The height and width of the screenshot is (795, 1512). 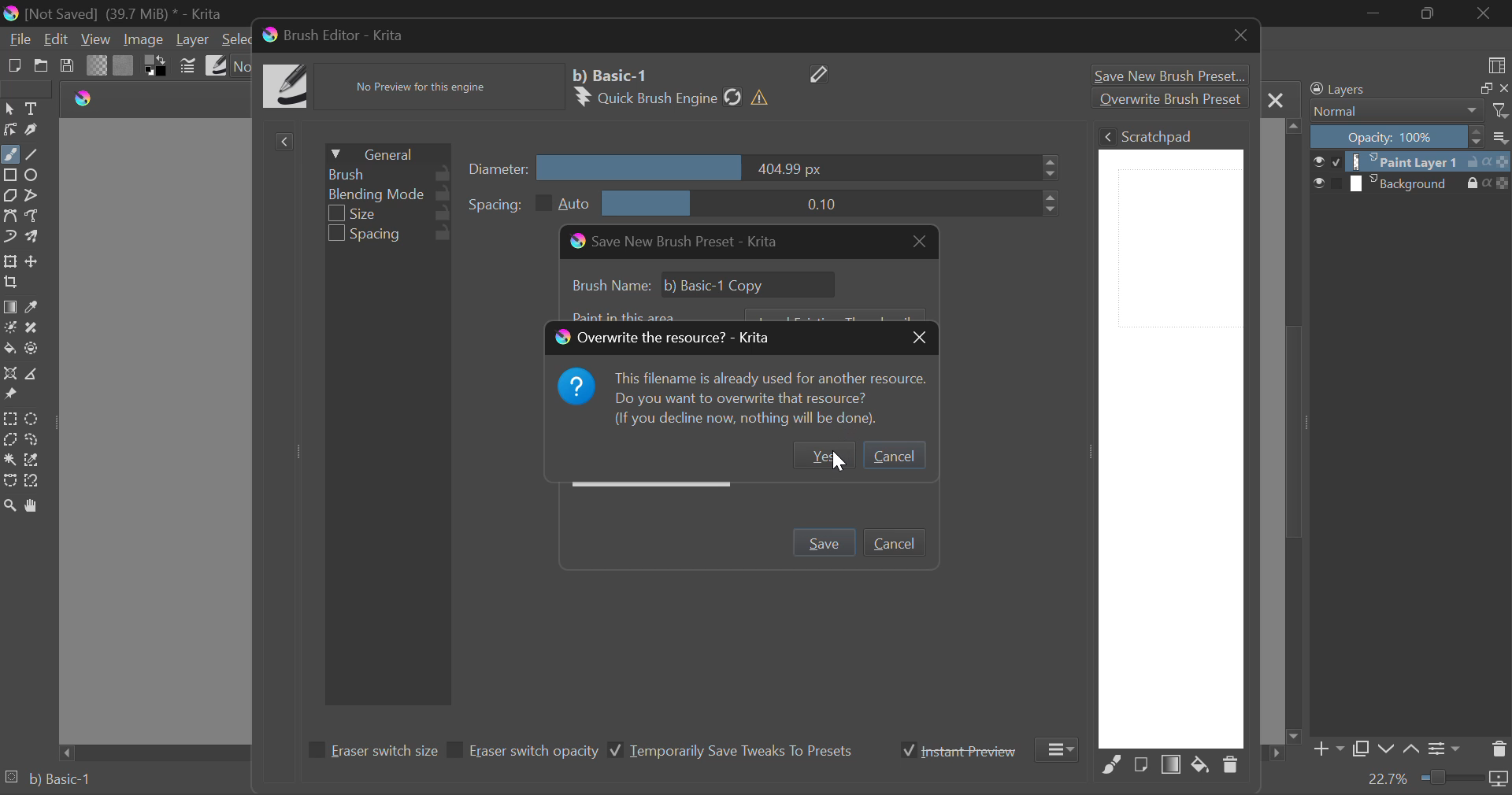 What do you see at coordinates (10, 154) in the screenshot?
I see `Freehand` at bounding box center [10, 154].